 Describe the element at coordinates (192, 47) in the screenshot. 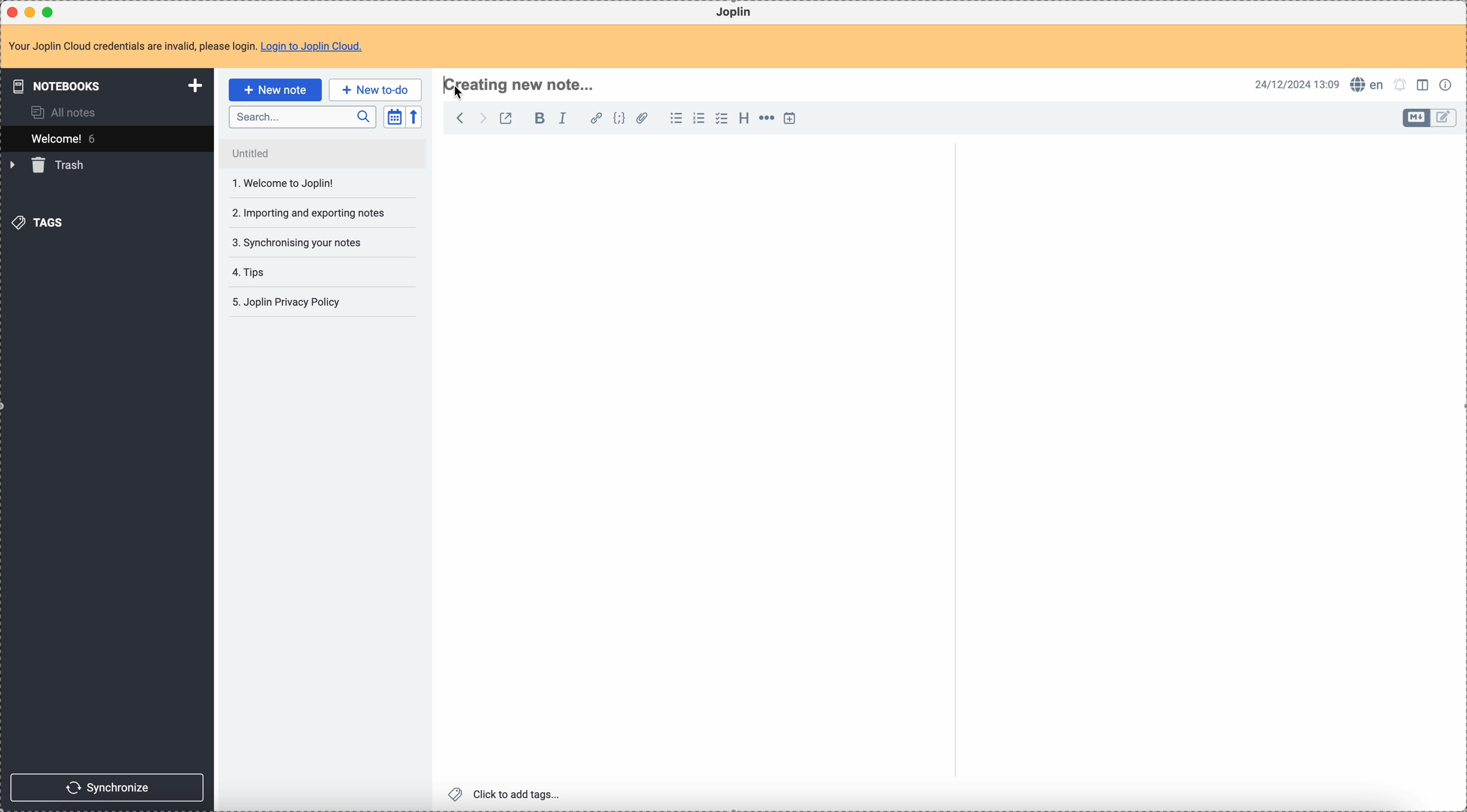

I see `note` at that location.